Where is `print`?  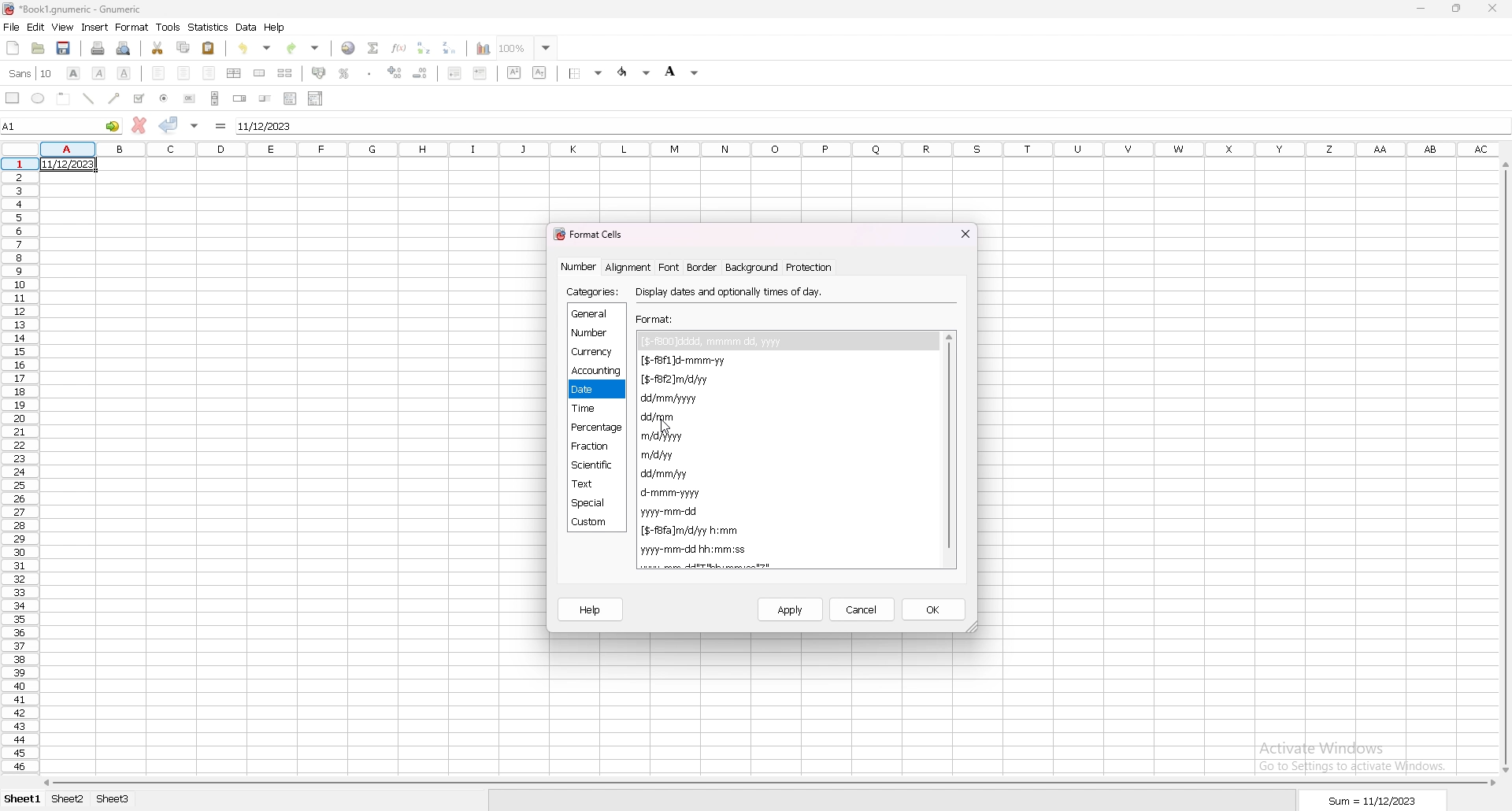
print is located at coordinates (98, 48).